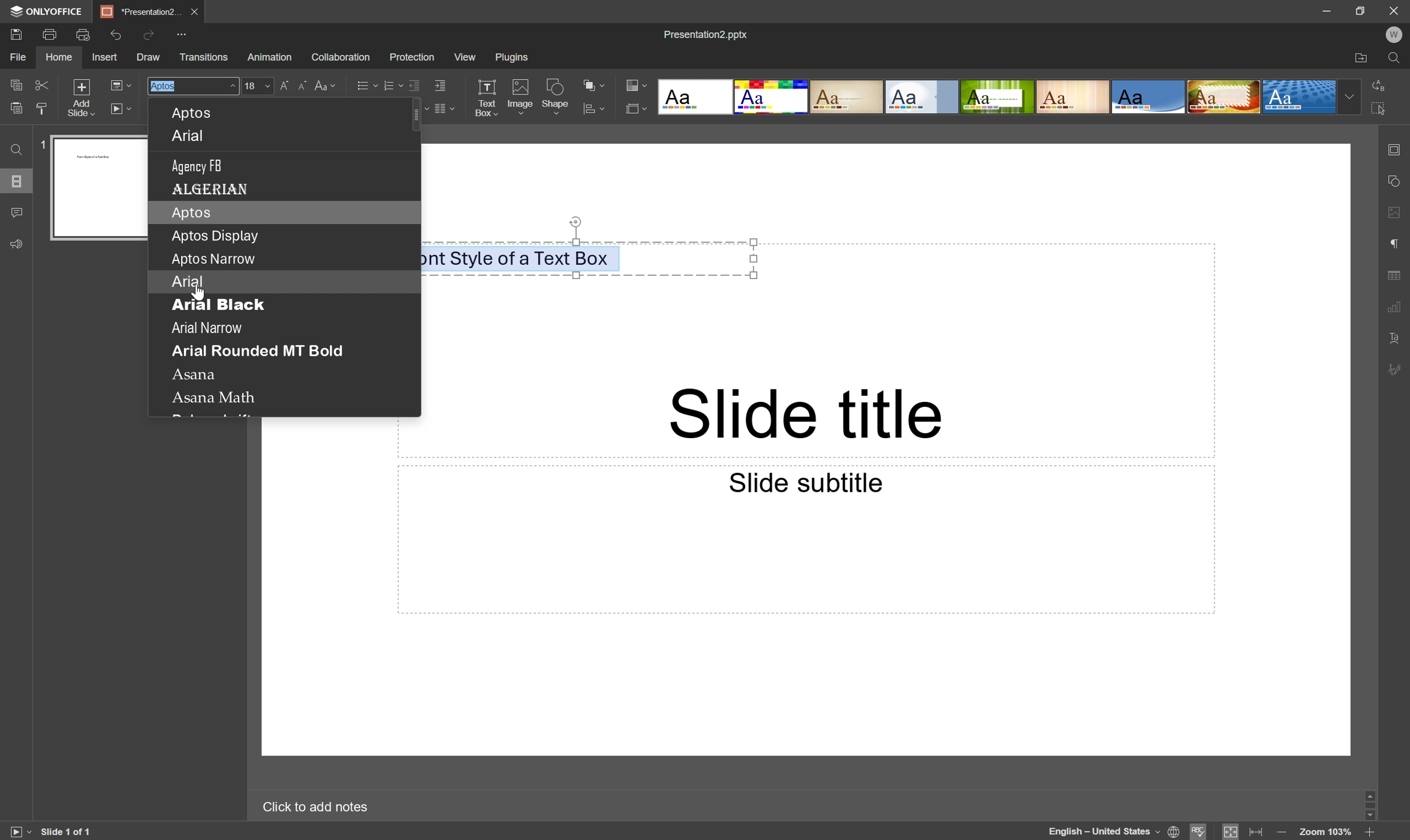 The height and width of the screenshot is (840, 1410). Describe the element at coordinates (16, 108) in the screenshot. I see `Paste` at that location.